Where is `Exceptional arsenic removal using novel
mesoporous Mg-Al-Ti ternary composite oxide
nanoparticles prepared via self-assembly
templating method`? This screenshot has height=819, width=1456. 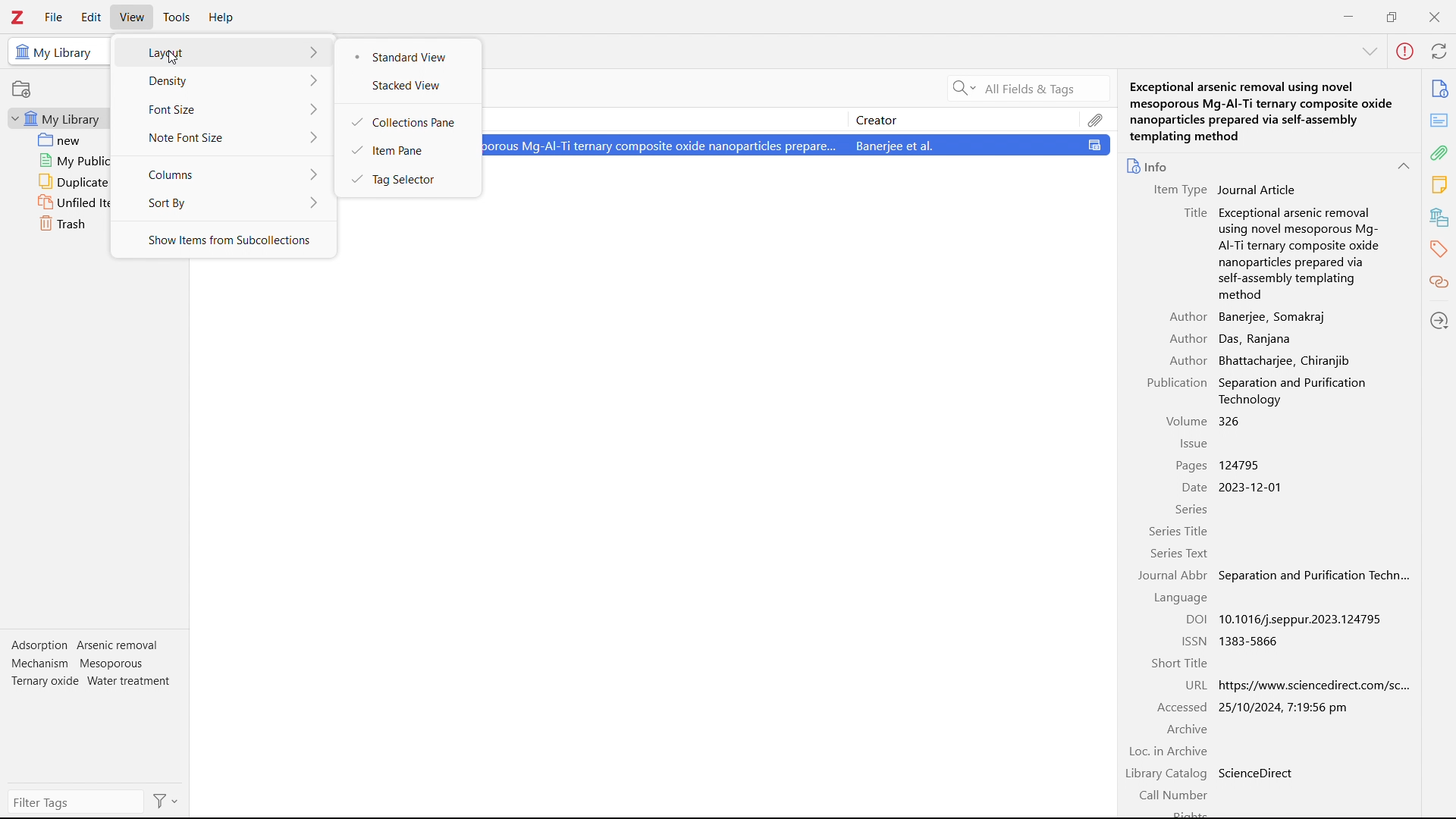
Exceptional arsenic removal using novel
mesoporous Mg-Al-Ti ternary composite oxide
nanoparticles prepared via self-assembly
templating method is located at coordinates (1263, 110).